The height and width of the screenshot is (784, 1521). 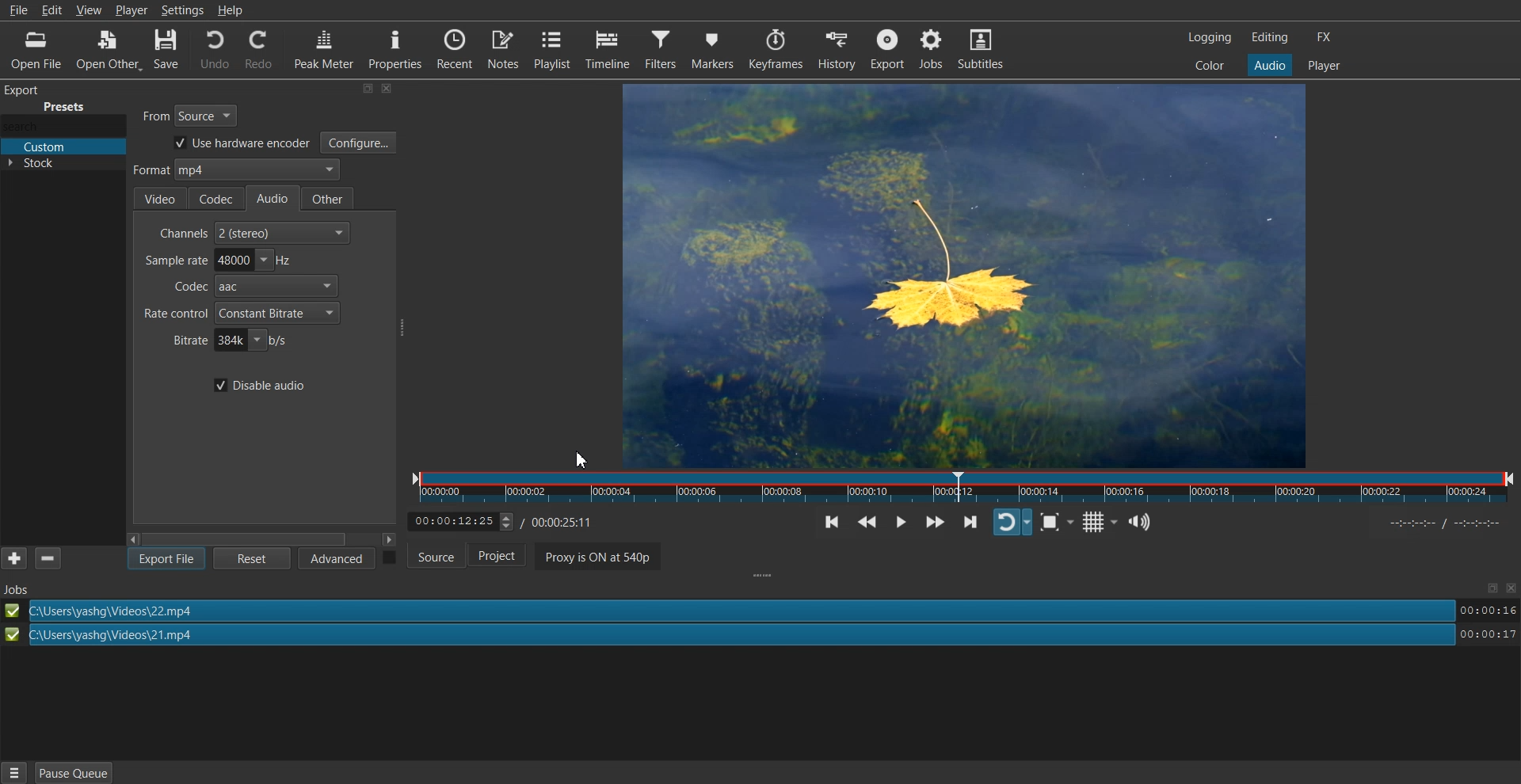 I want to click on History, so click(x=837, y=48).